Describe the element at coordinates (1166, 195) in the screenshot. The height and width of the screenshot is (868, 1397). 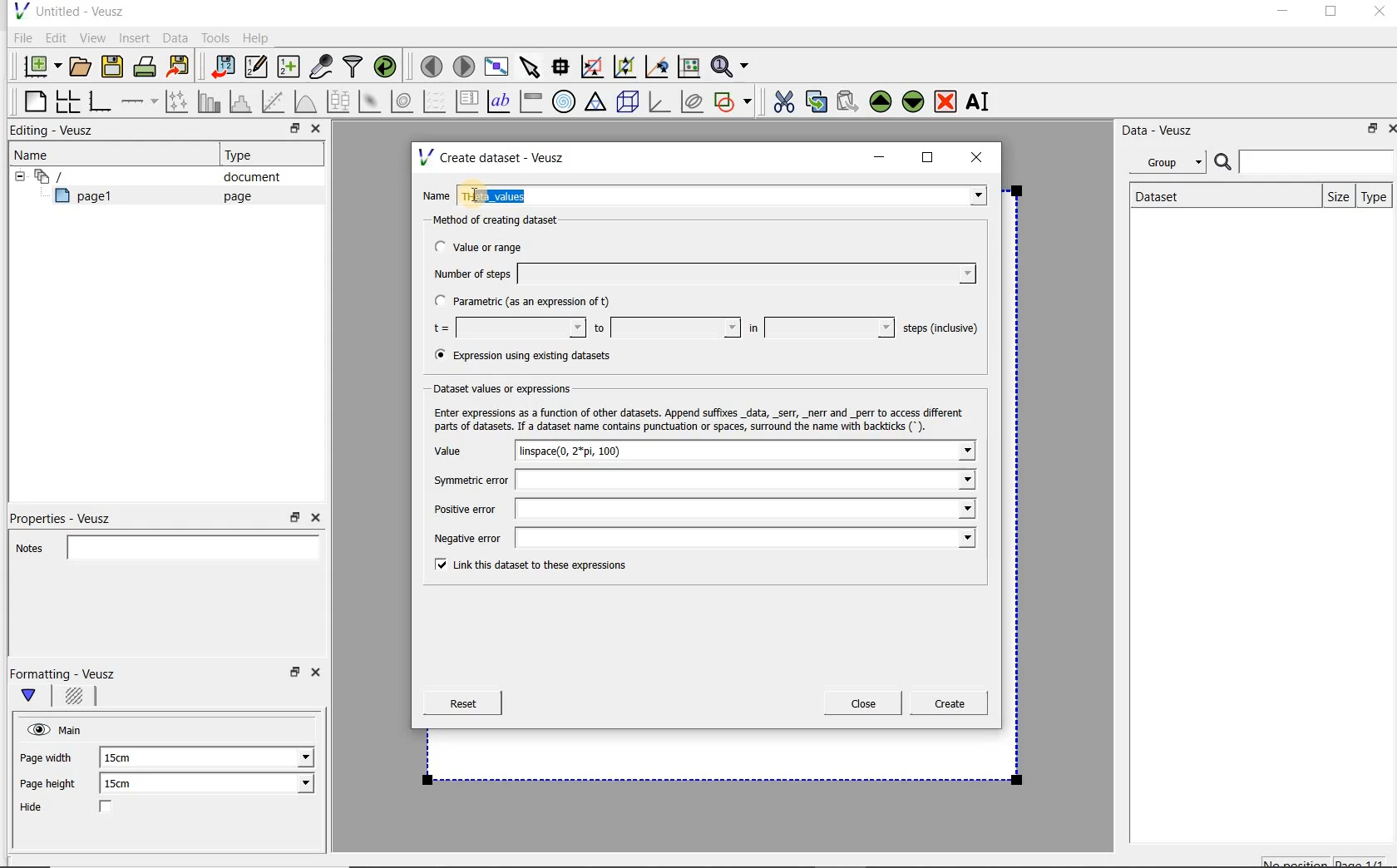
I see `Dataset` at that location.